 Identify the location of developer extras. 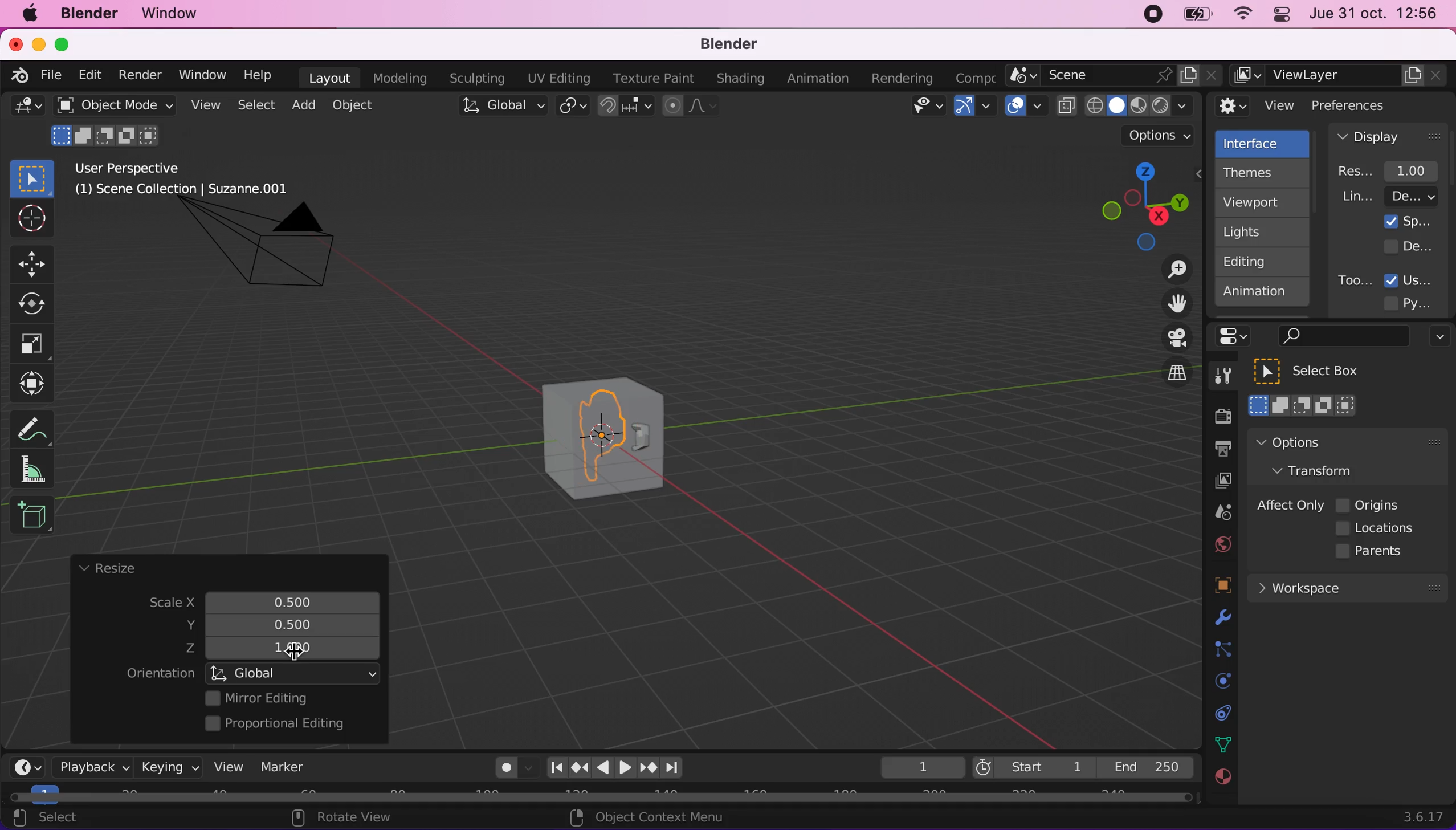
(1410, 246).